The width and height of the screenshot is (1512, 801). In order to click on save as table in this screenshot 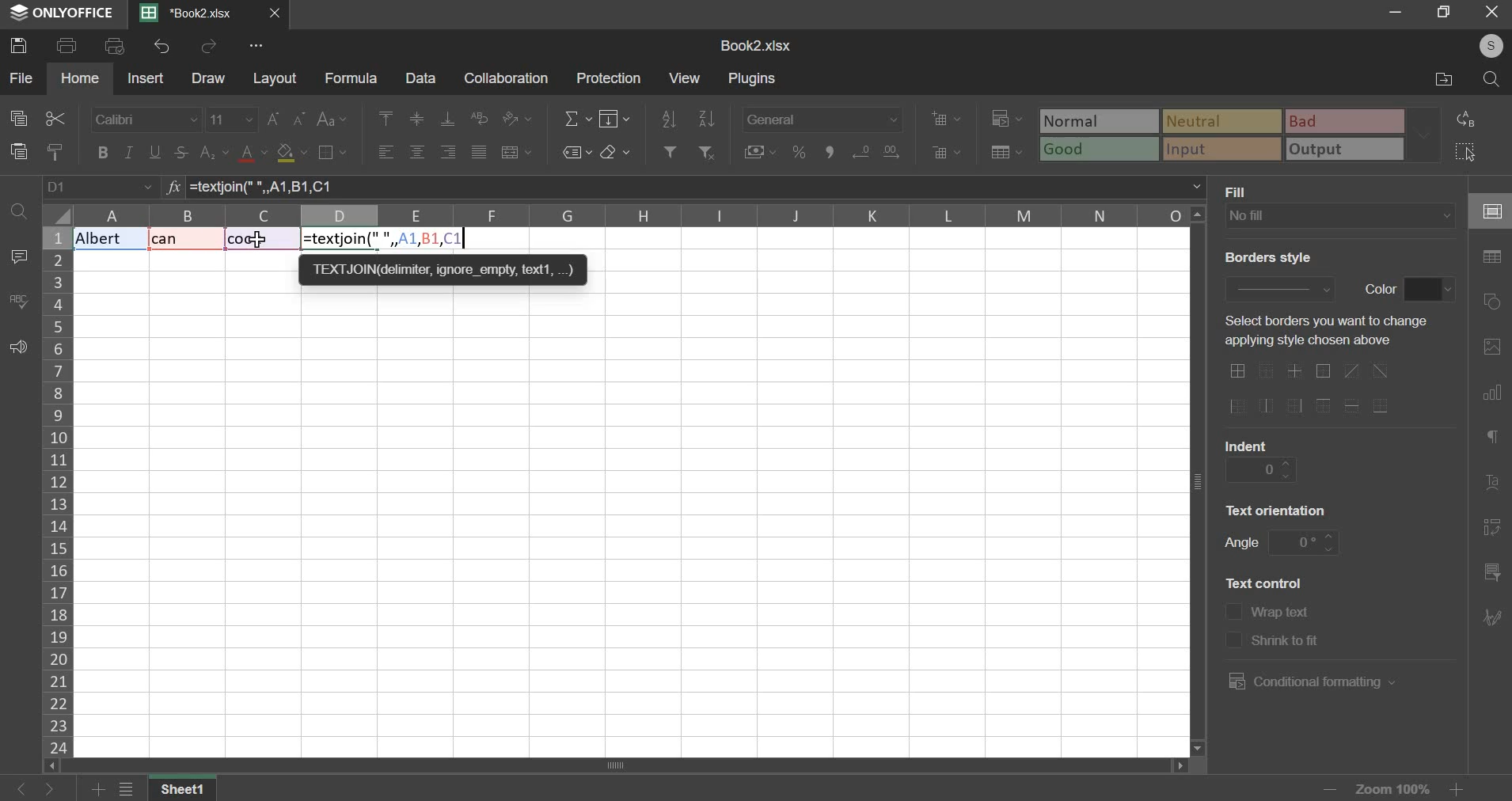, I will do `click(1008, 153)`.